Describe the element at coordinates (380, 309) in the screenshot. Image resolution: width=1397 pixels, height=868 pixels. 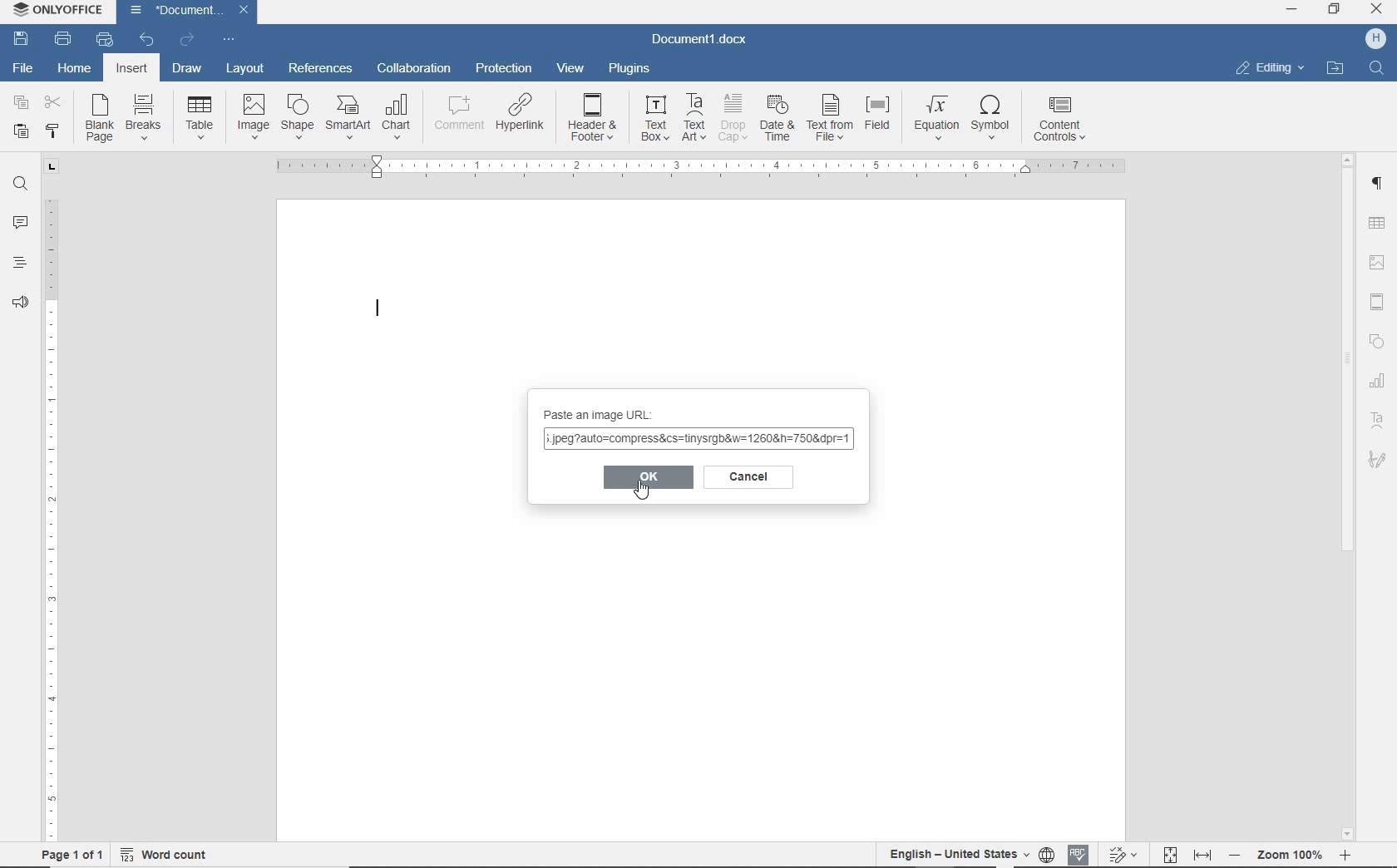
I see `Text Cursor` at that location.